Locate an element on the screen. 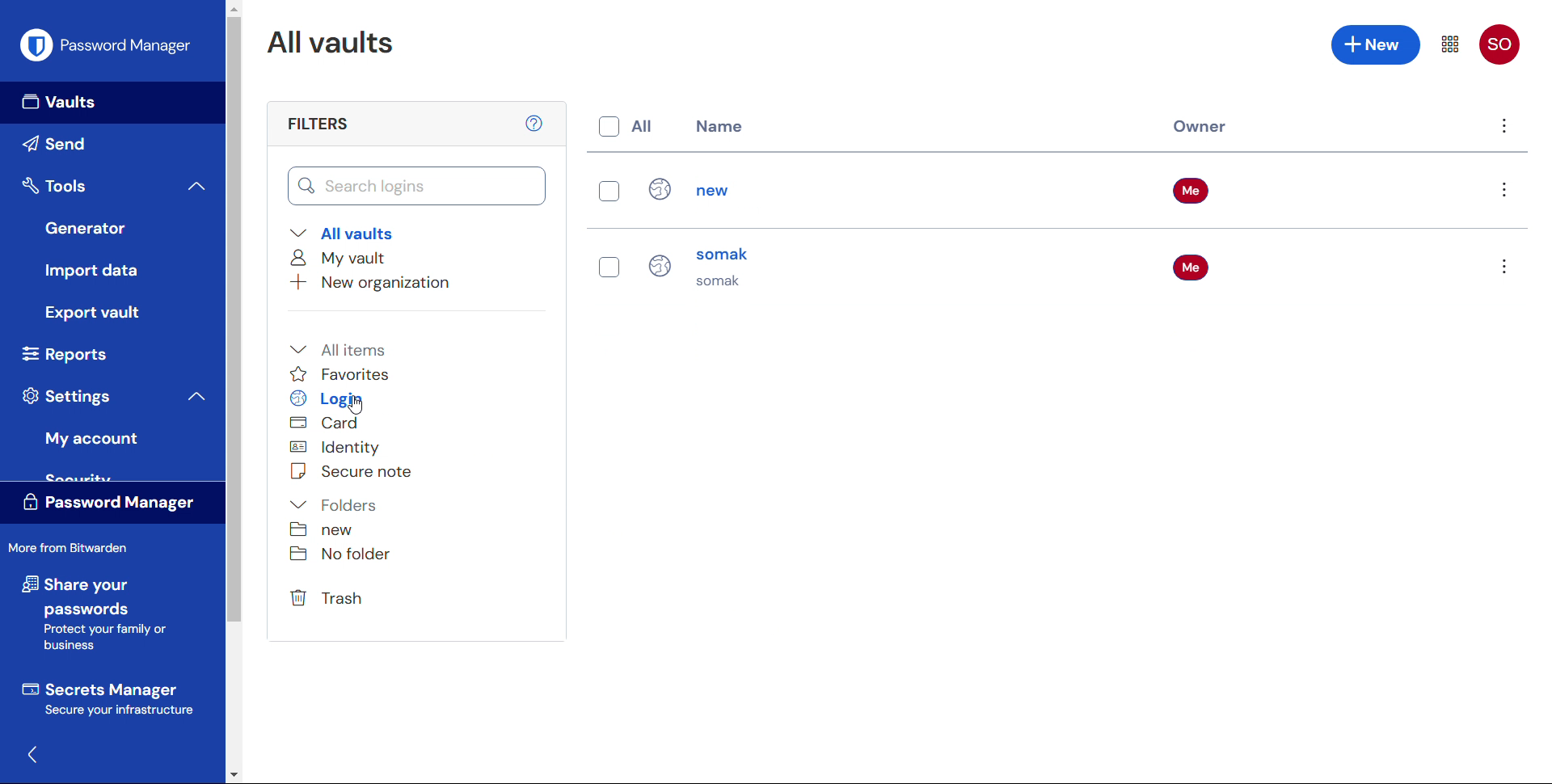 The image size is (1552, 784). help  is located at coordinates (535, 123).